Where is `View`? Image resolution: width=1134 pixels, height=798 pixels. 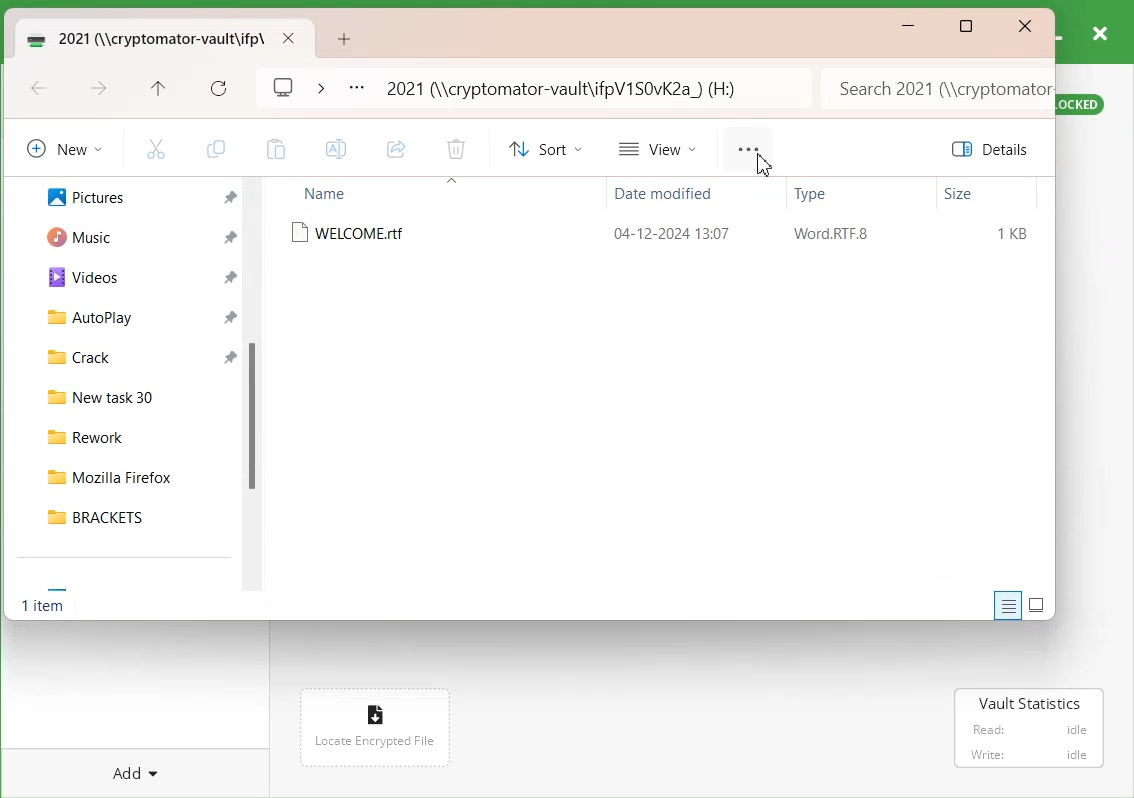 View is located at coordinates (659, 148).